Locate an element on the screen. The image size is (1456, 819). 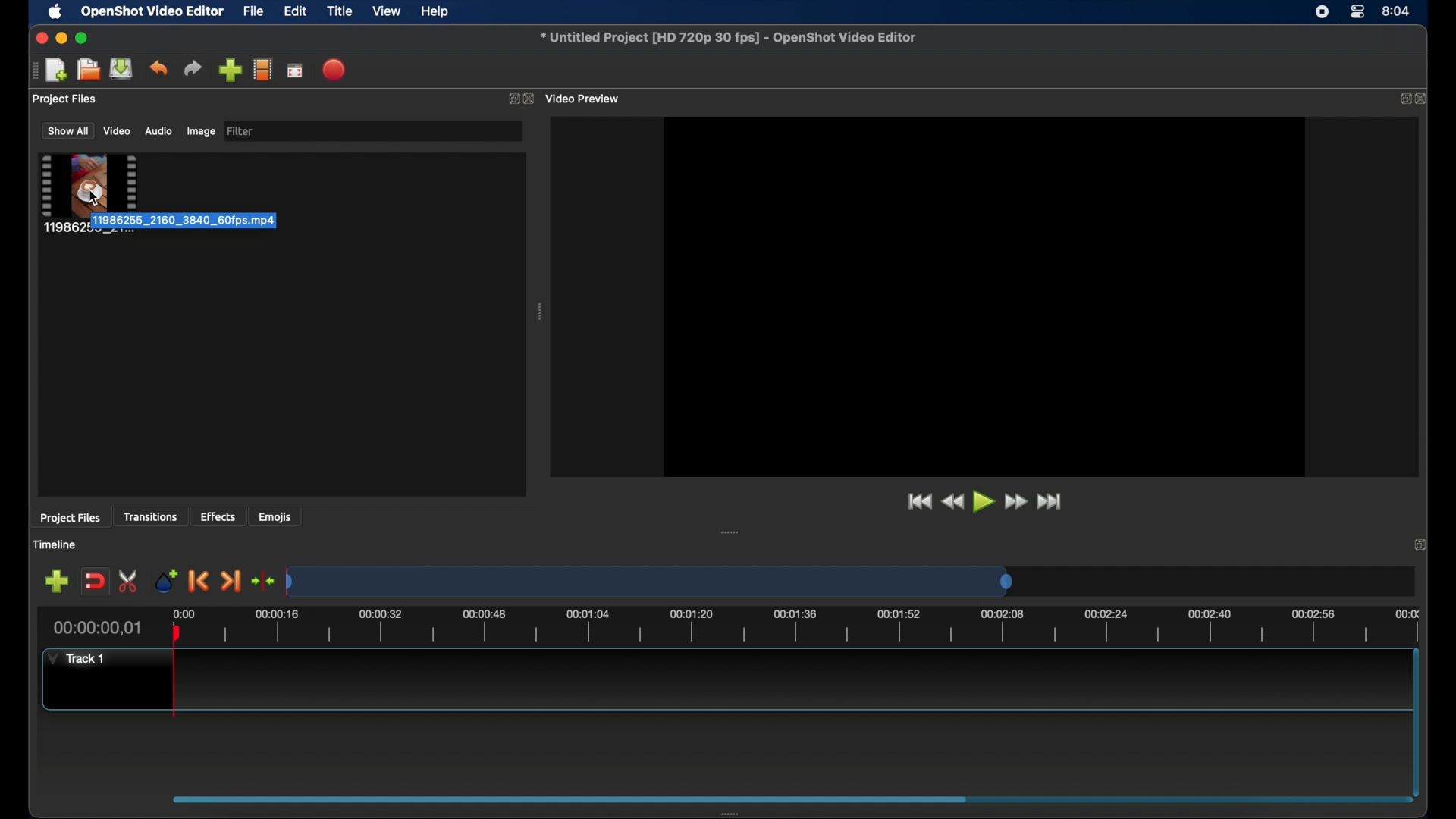
explore profiles is located at coordinates (262, 71).